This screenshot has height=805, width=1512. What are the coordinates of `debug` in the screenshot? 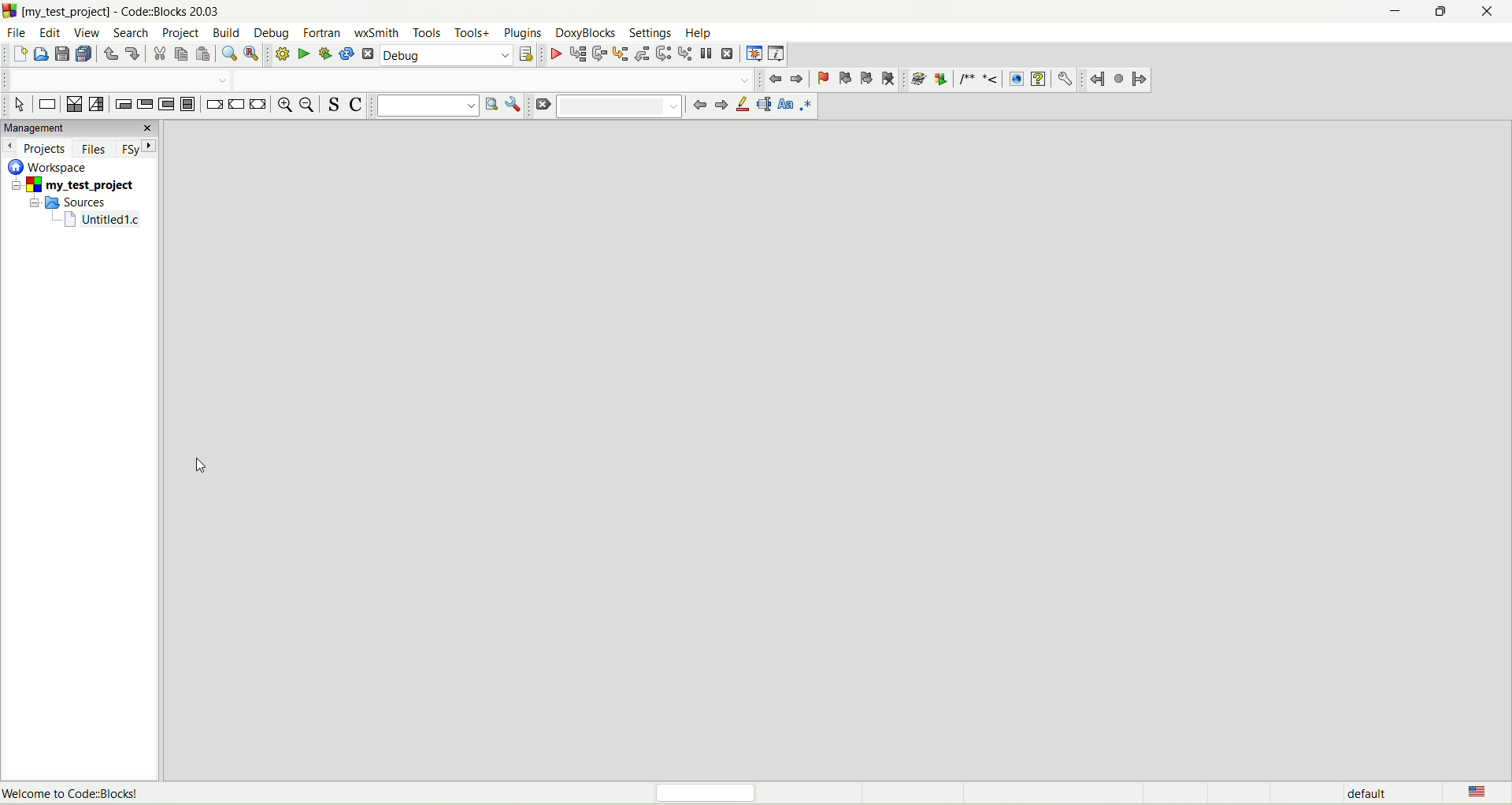 It's located at (554, 54).